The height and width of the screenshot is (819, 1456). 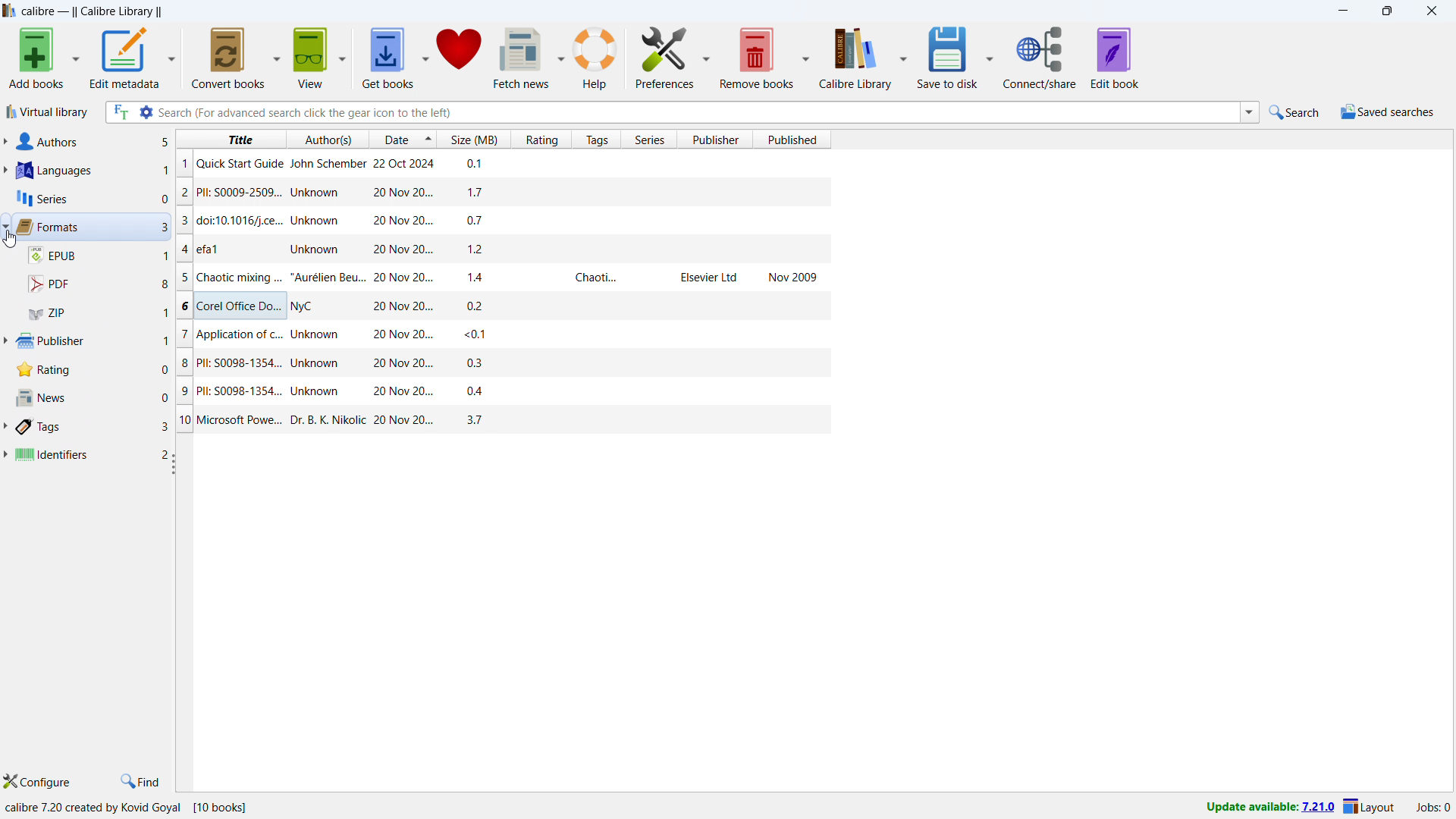 I want to click on help, so click(x=595, y=58).